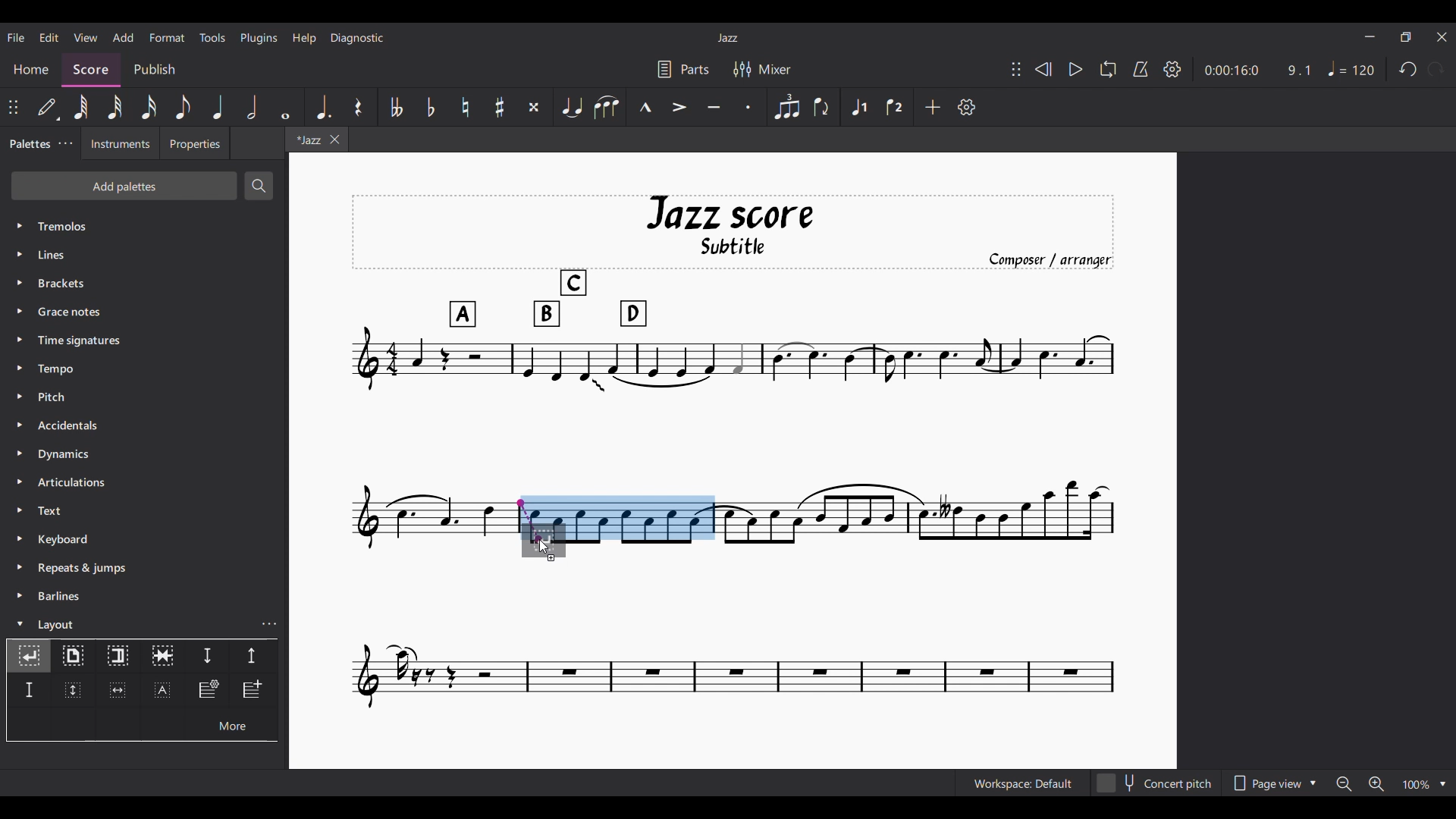 The image size is (1456, 819). I want to click on Change position, so click(13, 107).